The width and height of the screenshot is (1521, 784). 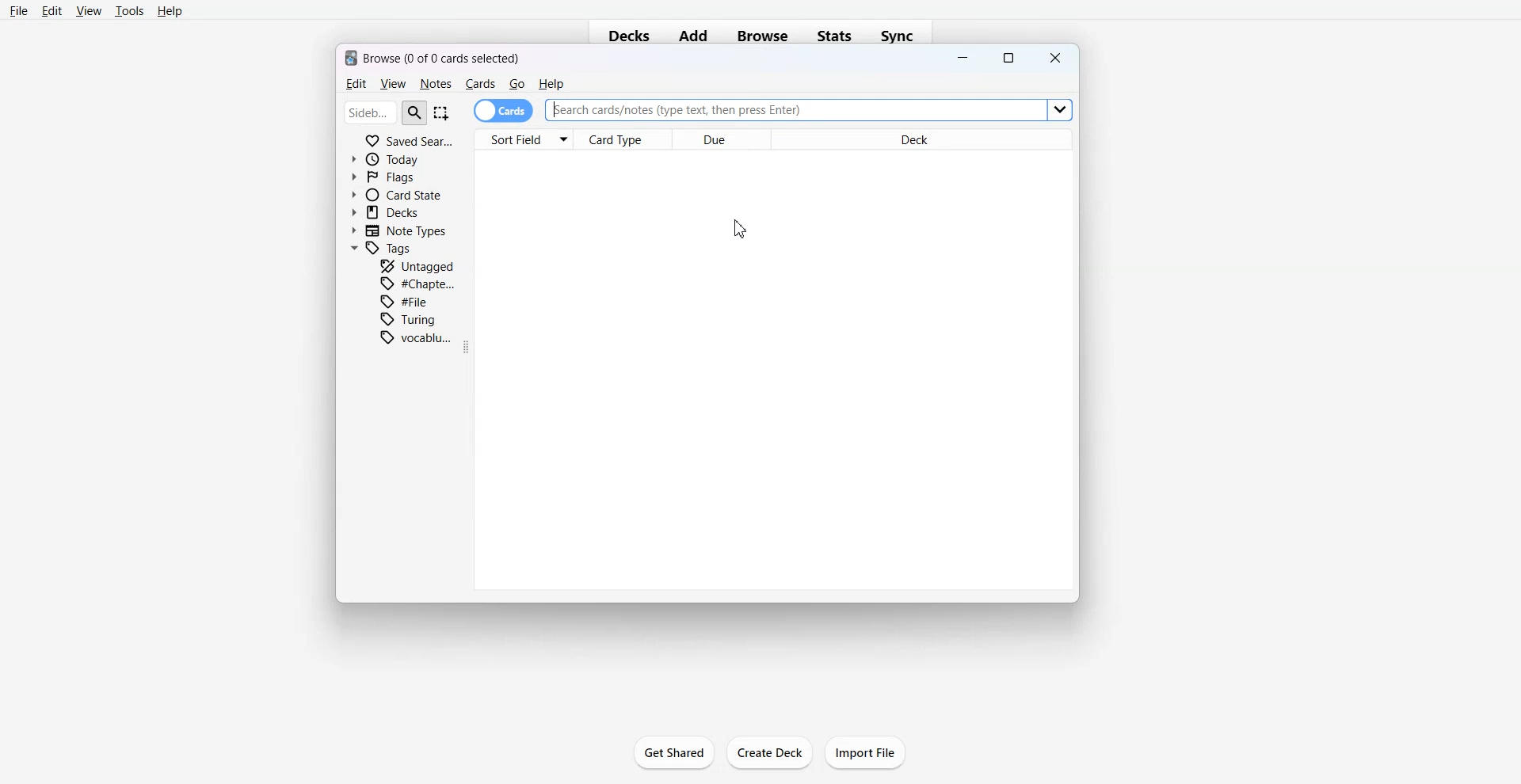 What do you see at coordinates (435, 84) in the screenshot?
I see `Notes` at bounding box center [435, 84].